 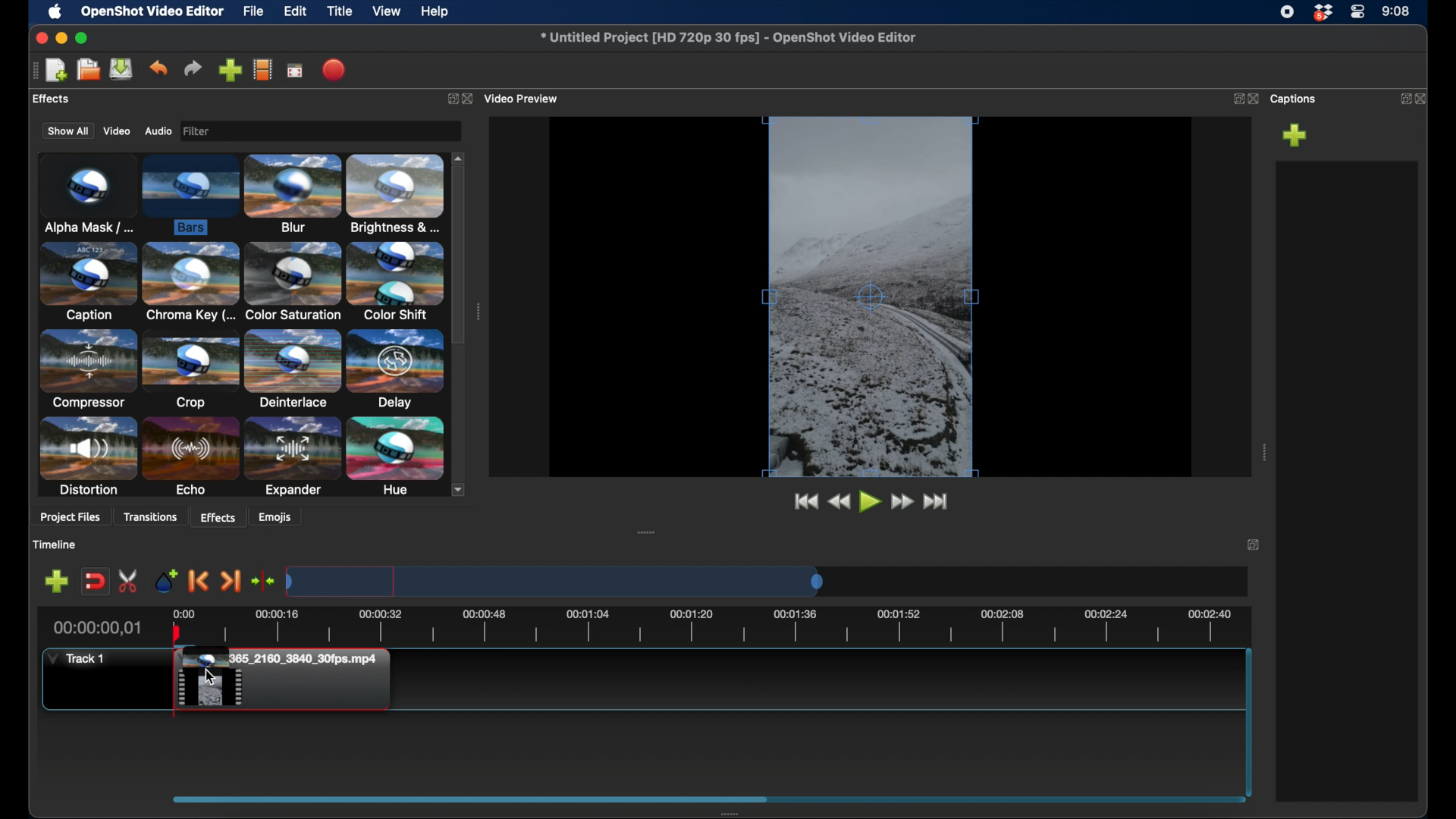 What do you see at coordinates (88, 370) in the screenshot?
I see `compressor` at bounding box center [88, 370].